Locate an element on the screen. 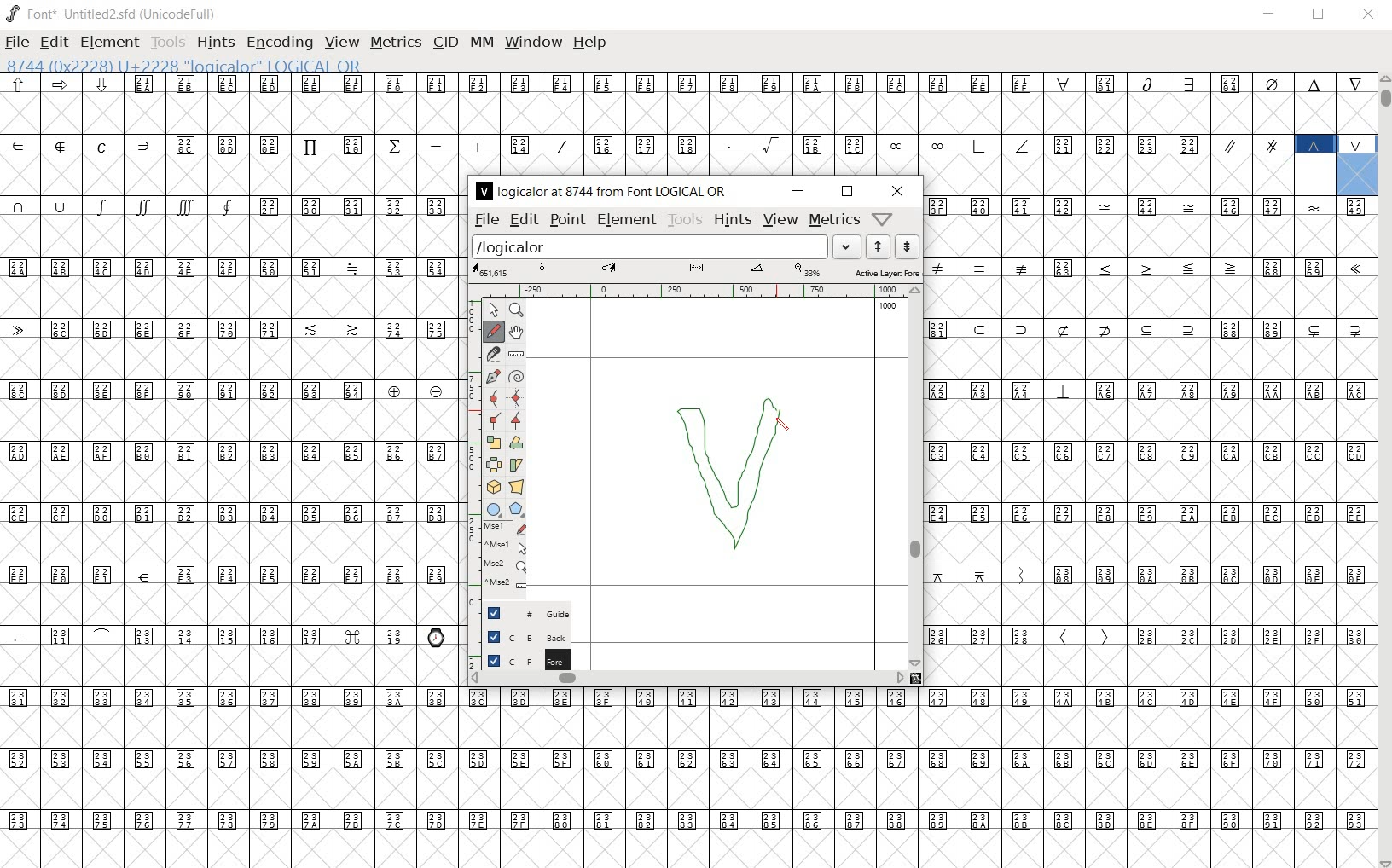  POINTER is located at coordinates (493, 310).